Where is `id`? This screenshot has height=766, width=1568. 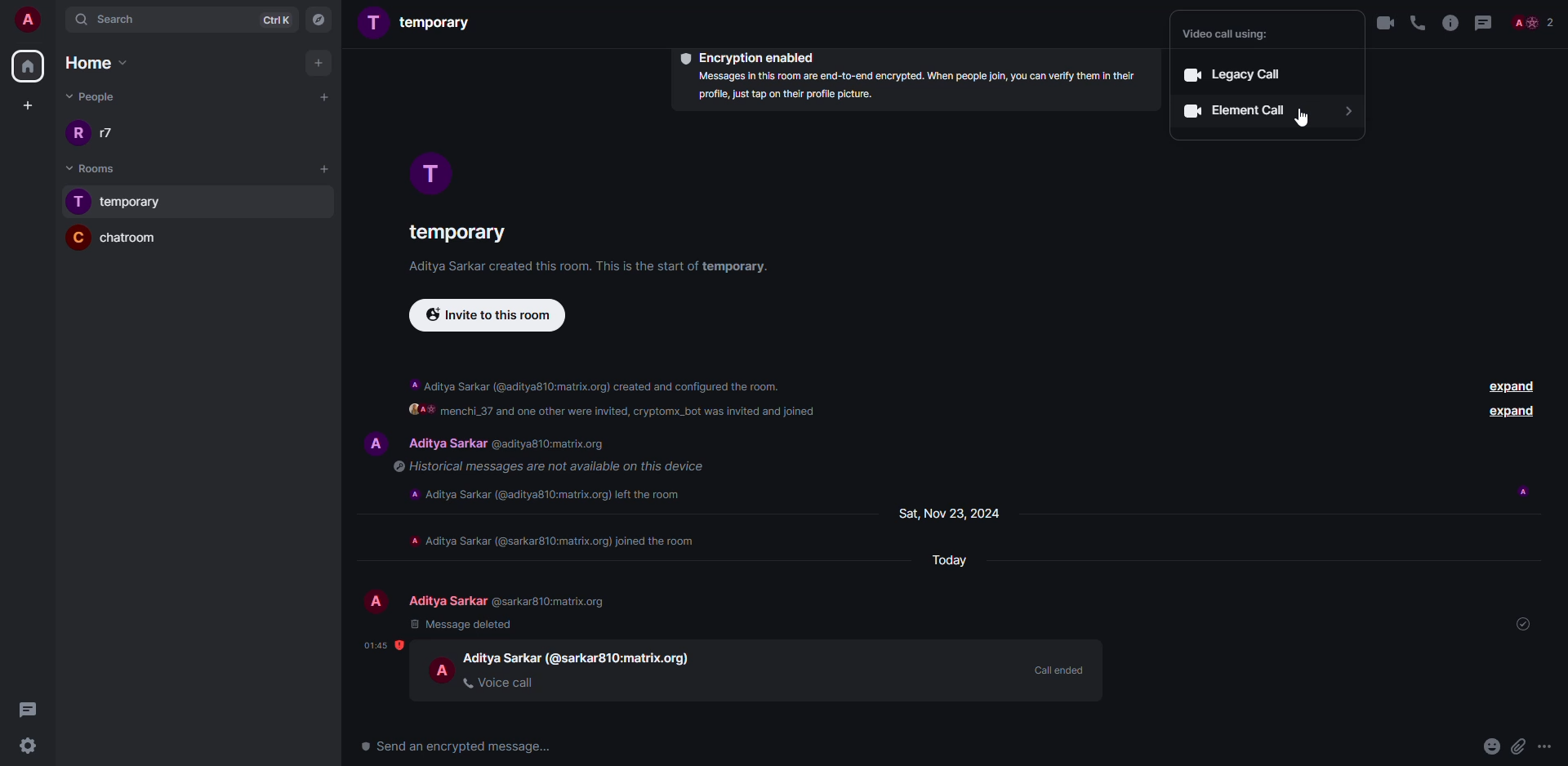
id is located at coordinates (554, 444).